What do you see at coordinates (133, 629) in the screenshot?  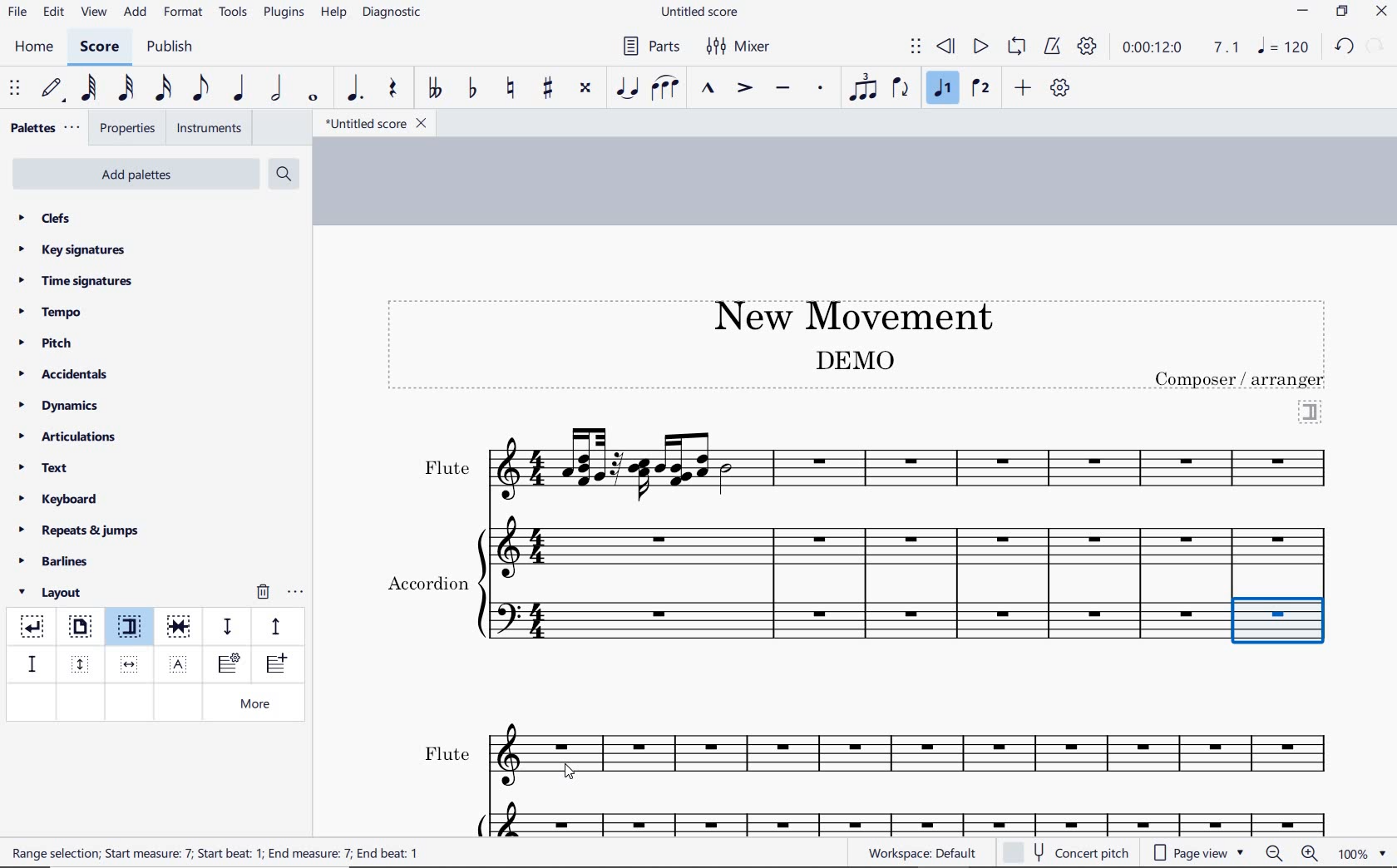 I see `section break` at bounding box center [133, 629].